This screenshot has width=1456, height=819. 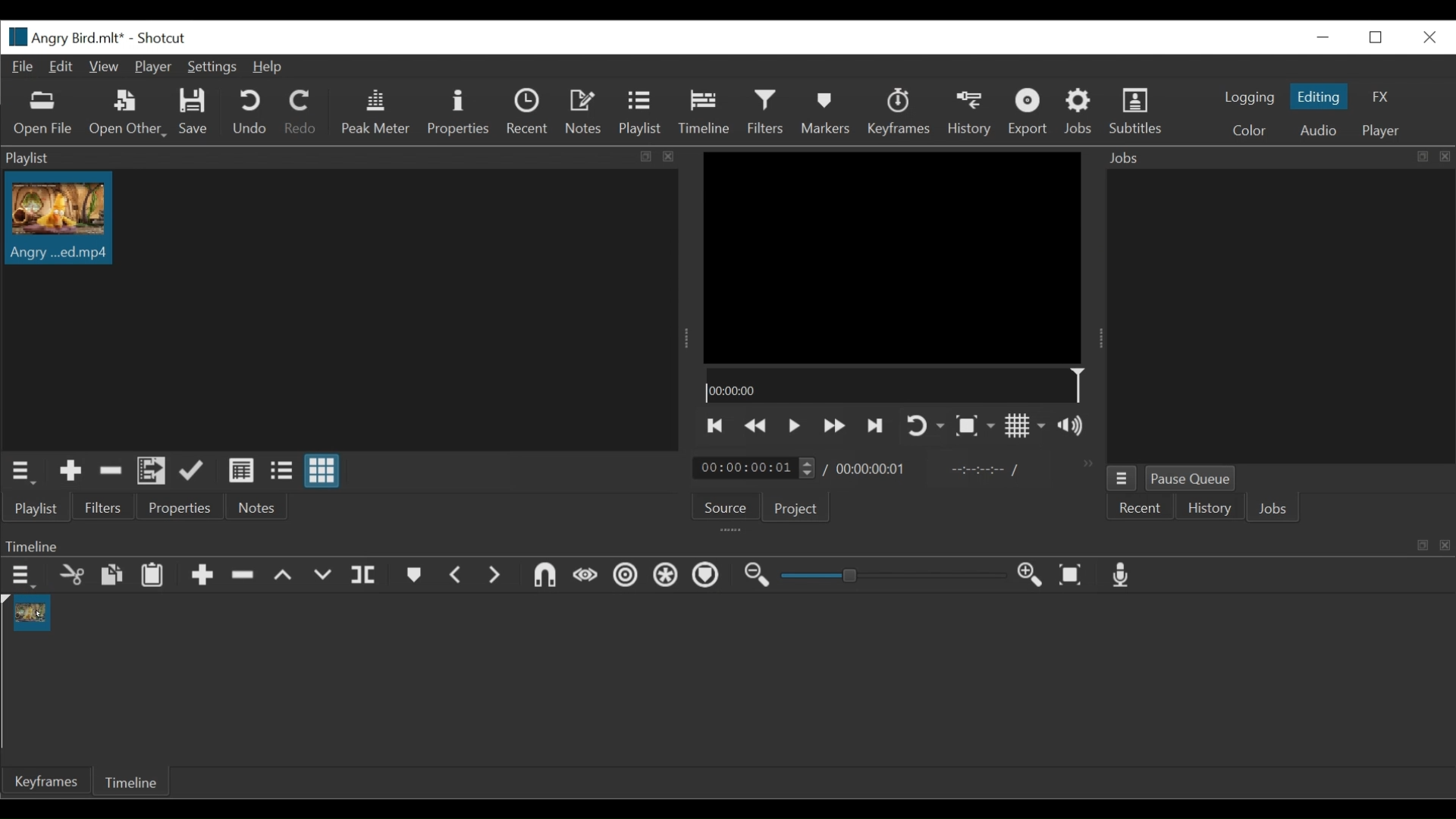 I want to click on Close, so click(x=1325, y=37).